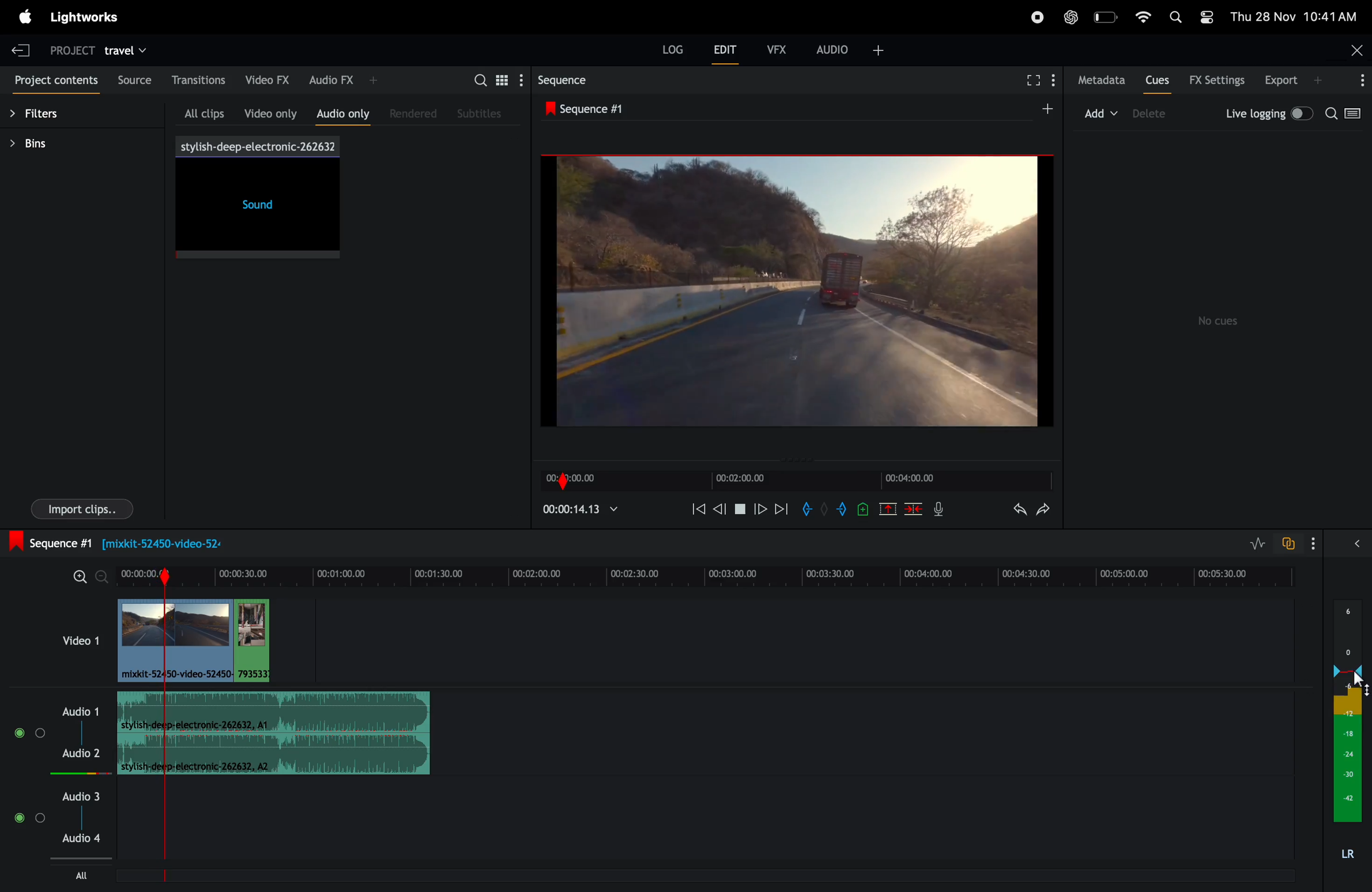 The image size is (1372, 892). What do you see at coordinates (1034, 16) in the screenshot?
I see `record` at bounding box center [1034, 16].